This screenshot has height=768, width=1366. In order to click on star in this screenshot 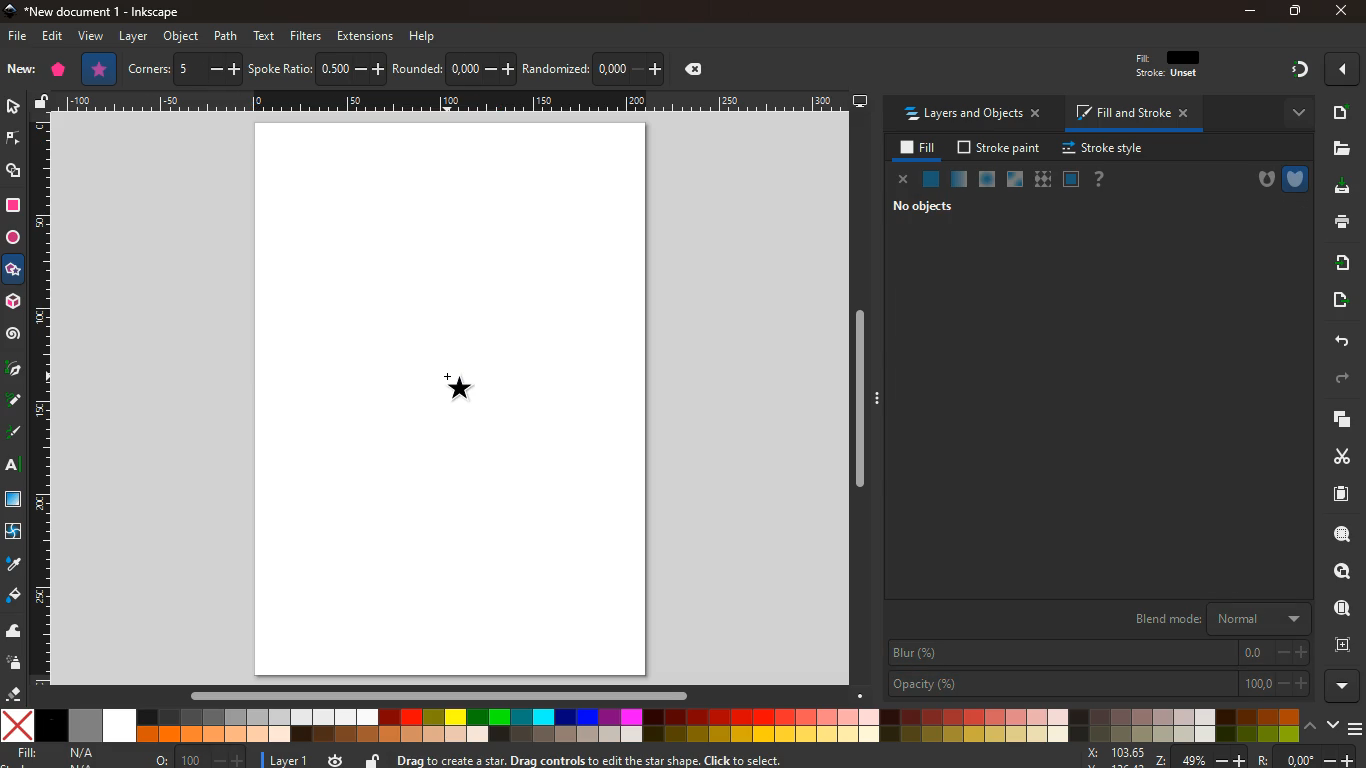, I will do `click(12, 270)`.